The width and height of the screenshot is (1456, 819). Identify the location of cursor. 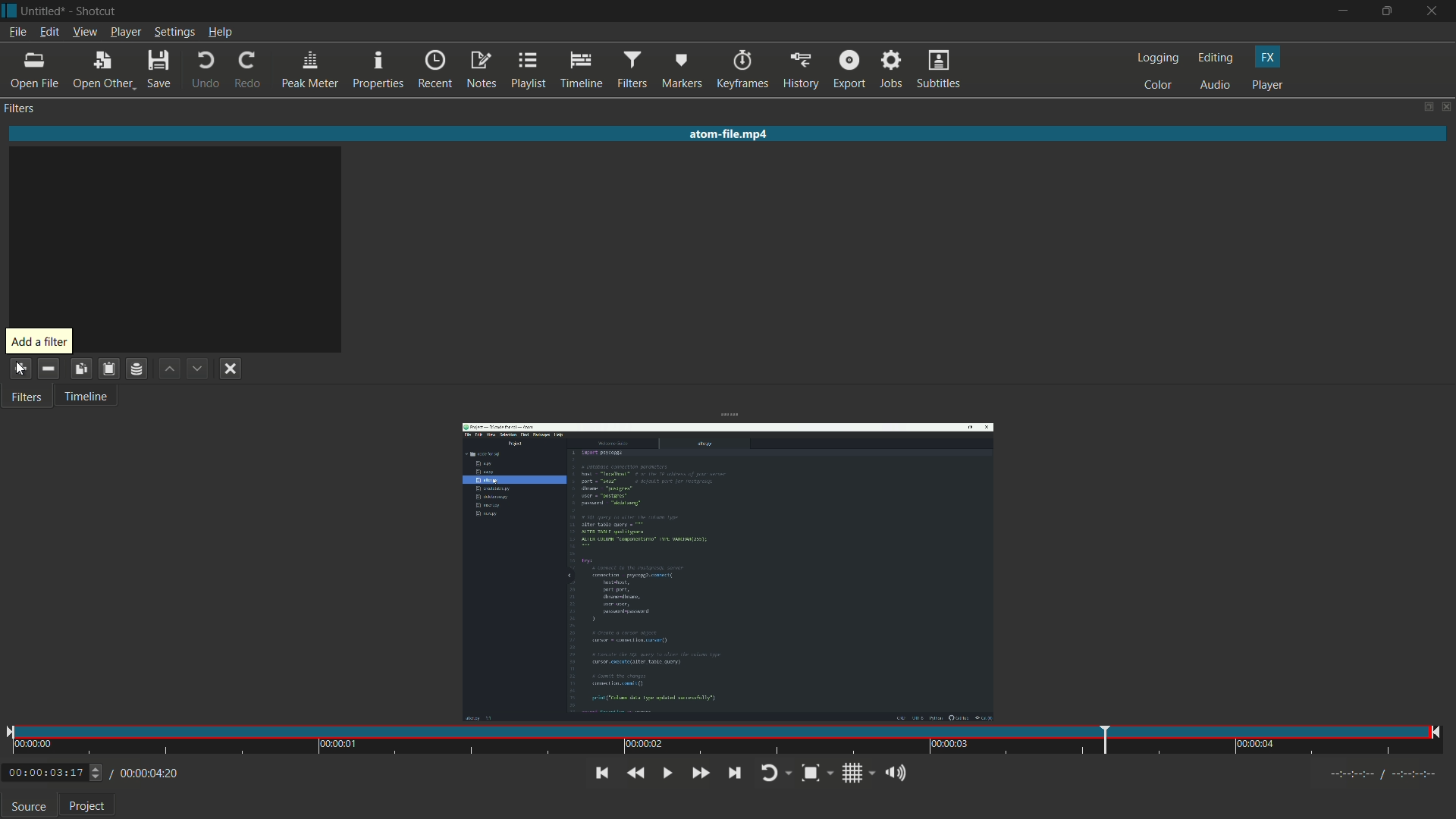
(15, 367).